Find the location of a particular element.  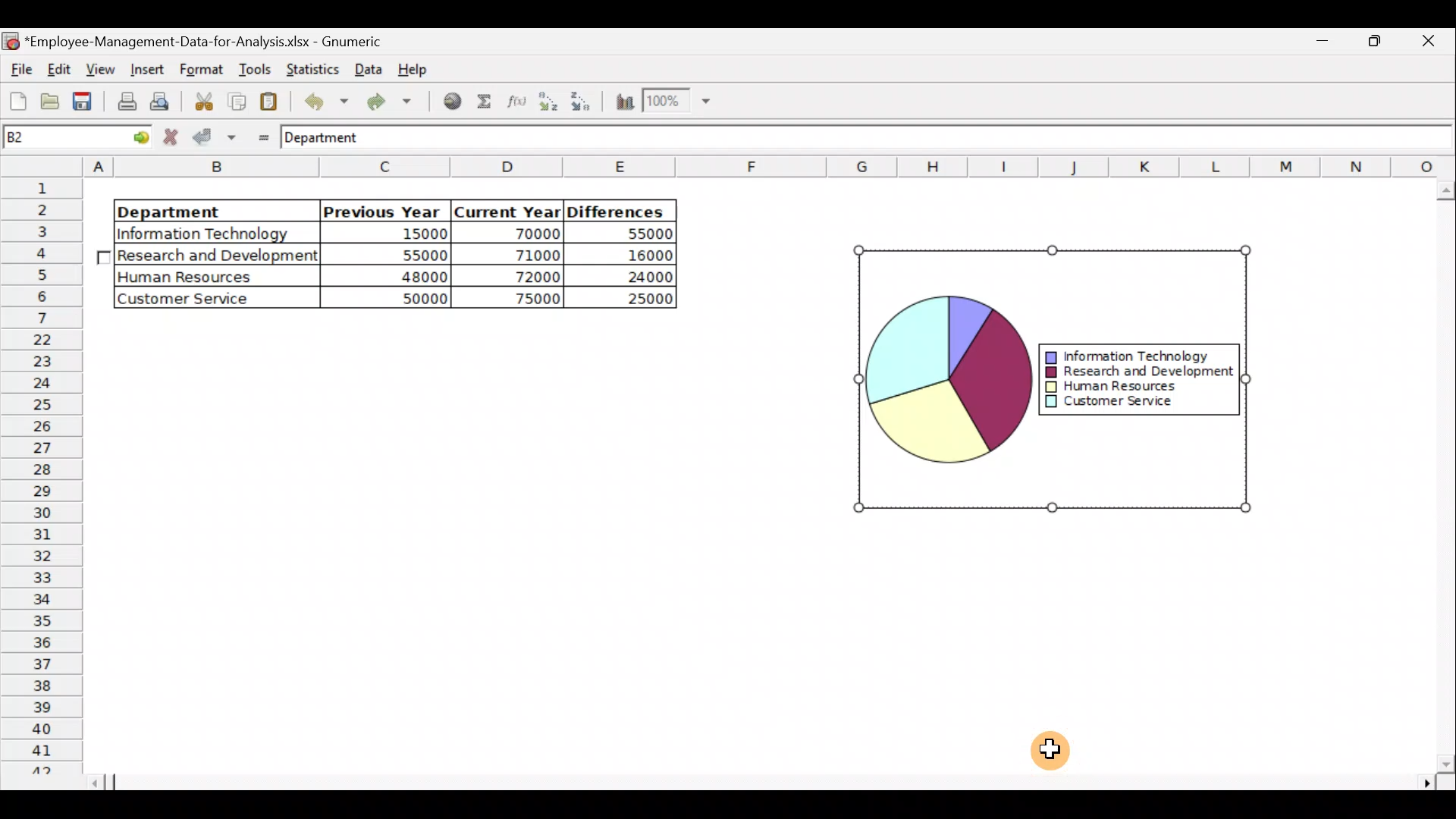

Insert a chart is located at coordinates (623, 102).